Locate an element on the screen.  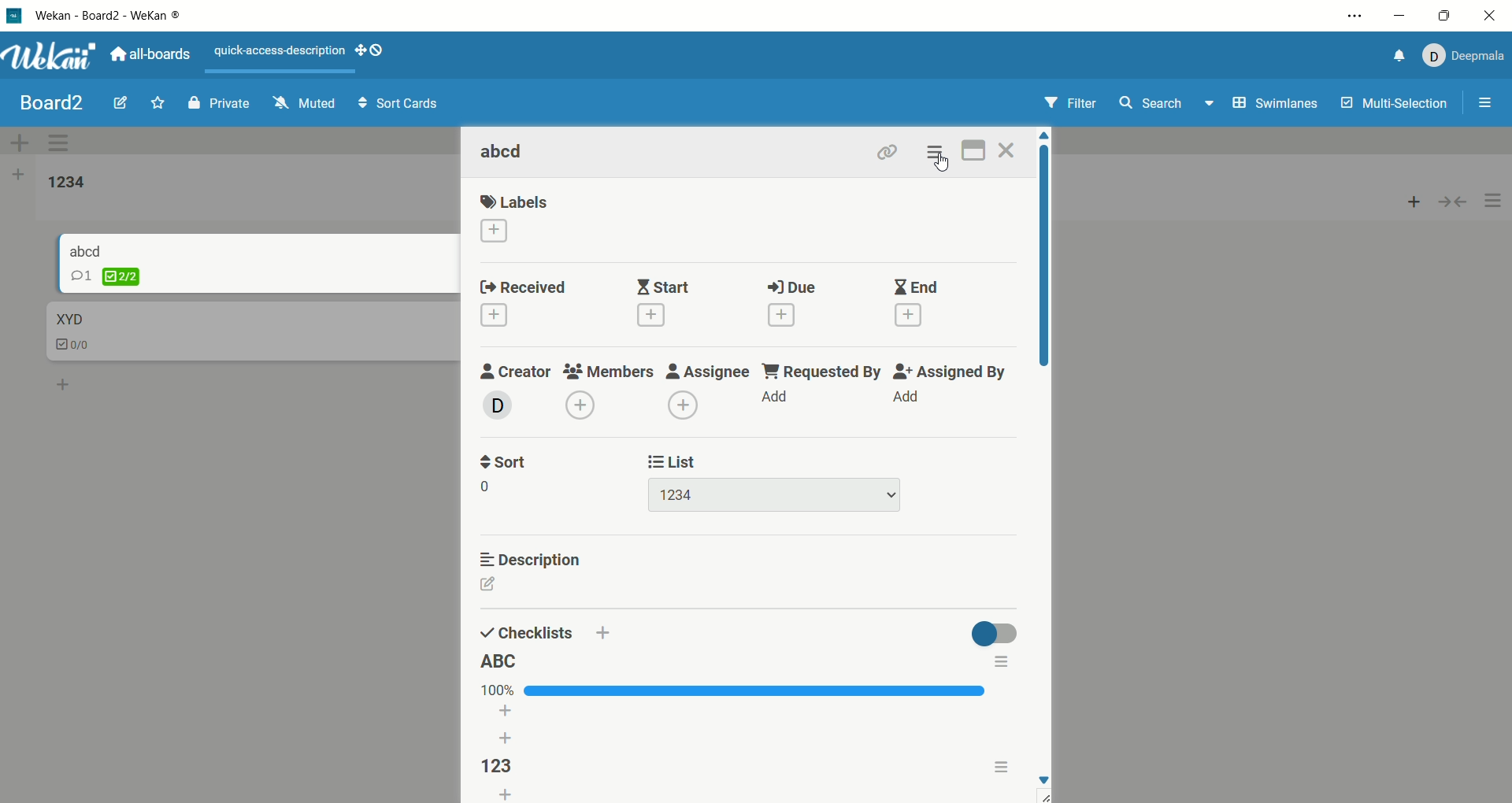
private is located at coordinates (212, 103).